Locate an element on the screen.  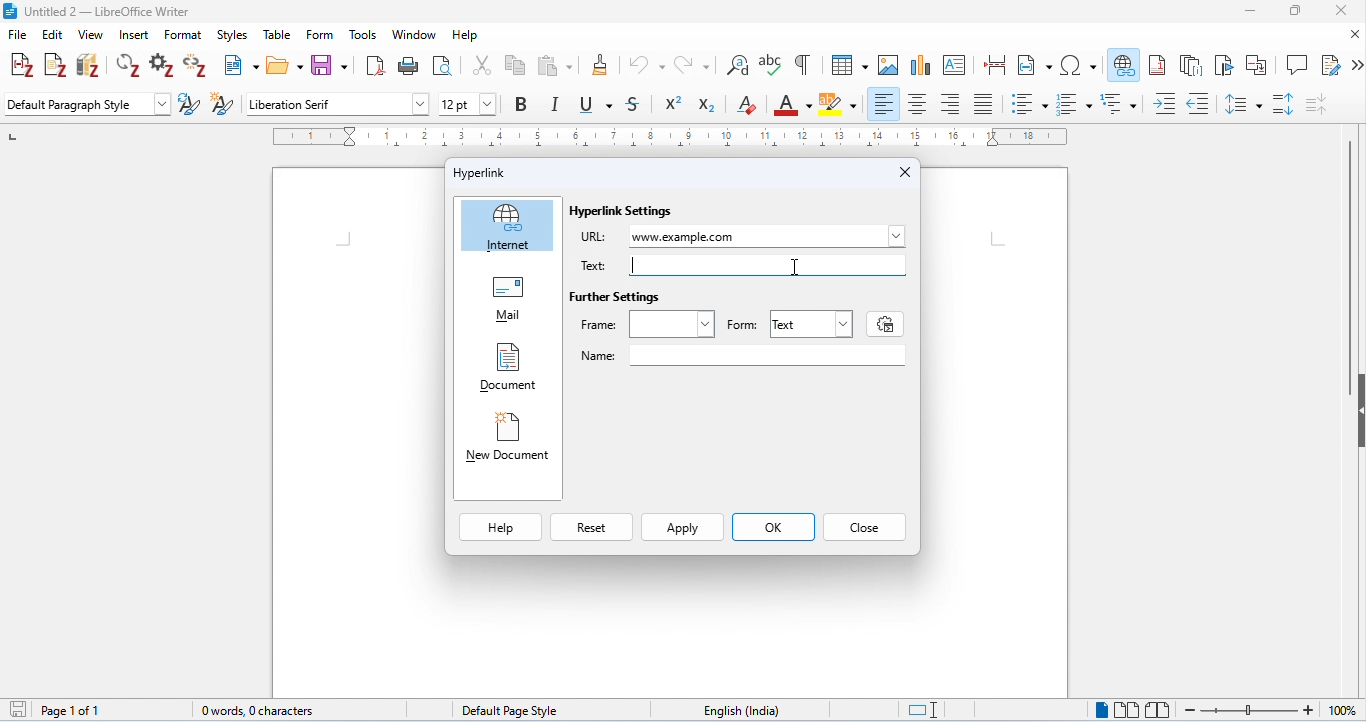
decrease paragraph spacing is located at coordinates (1316, 103).